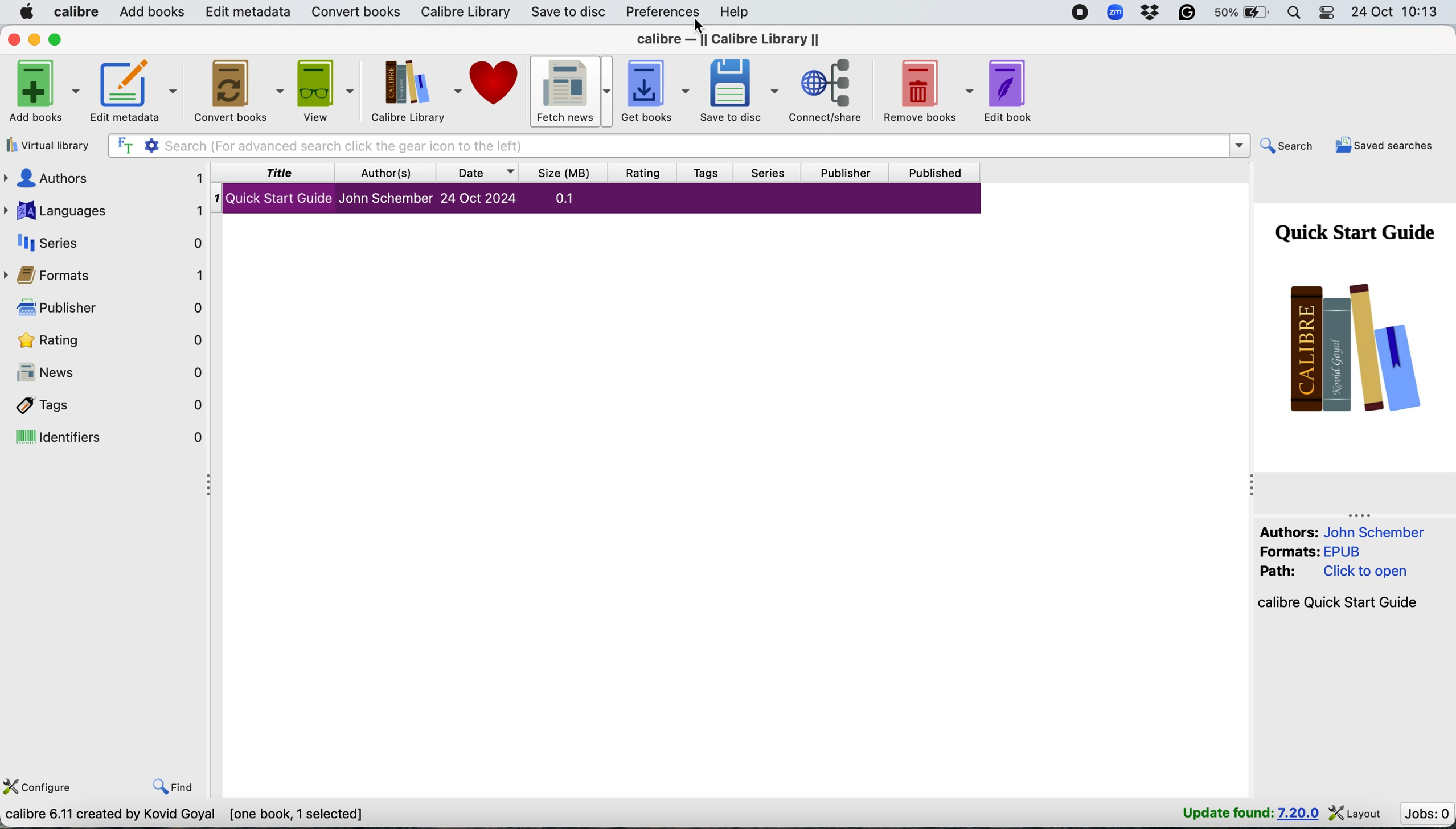  I want to click on languages, so click(105, 211).